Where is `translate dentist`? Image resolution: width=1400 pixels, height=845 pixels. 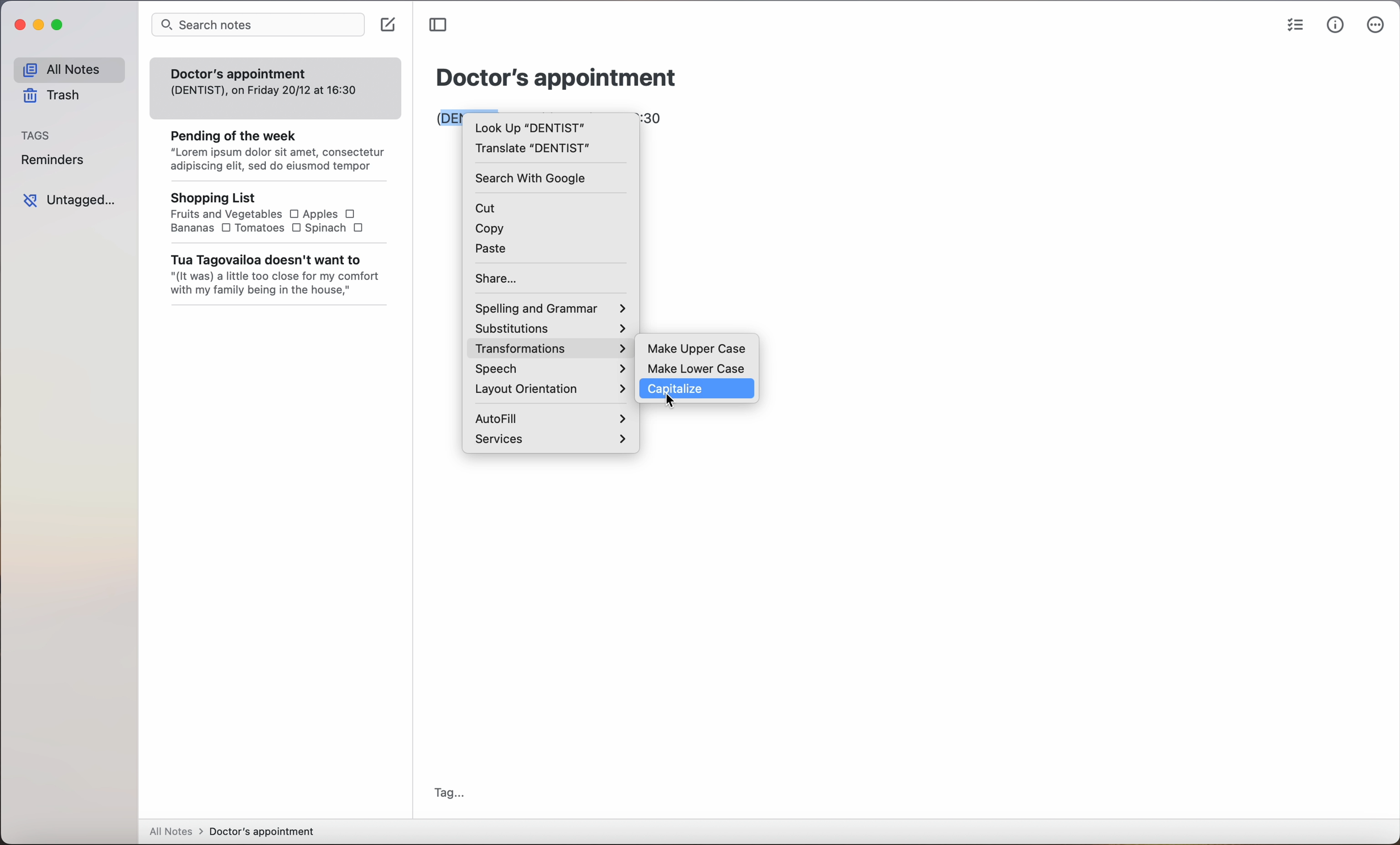 translate dentist is located at coordinates (533, 150).